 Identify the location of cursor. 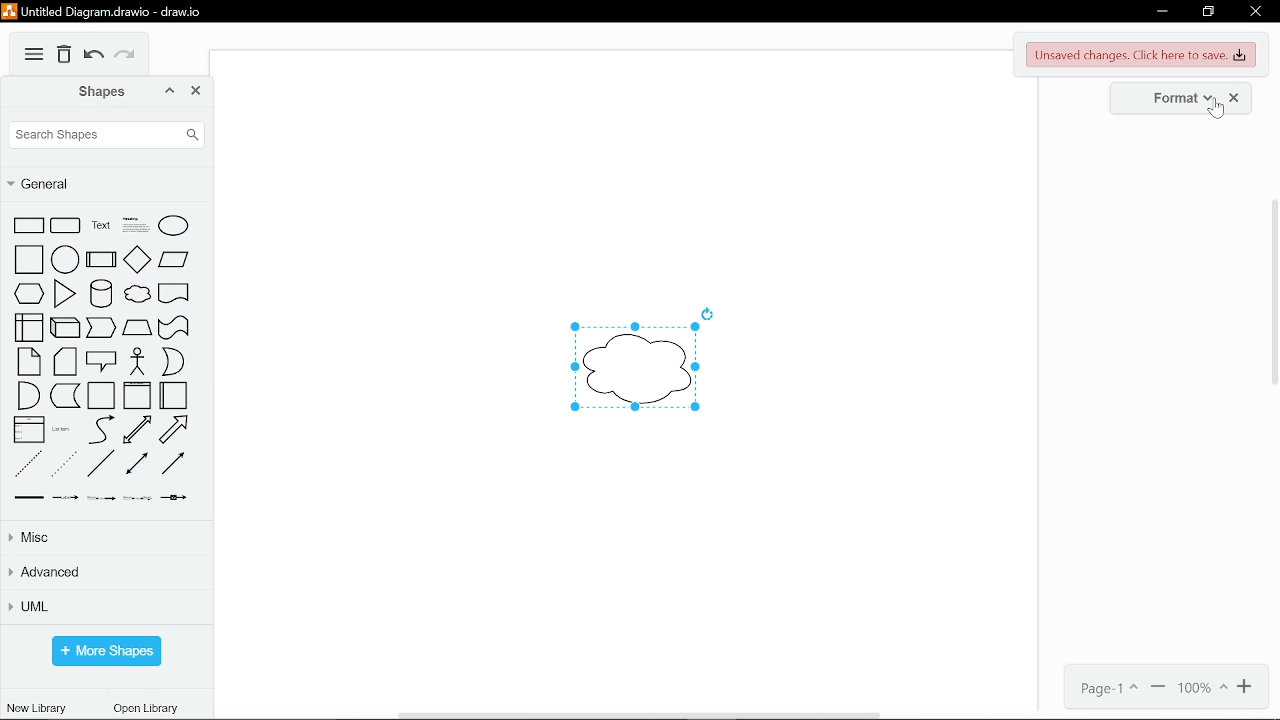
(1216, 108).